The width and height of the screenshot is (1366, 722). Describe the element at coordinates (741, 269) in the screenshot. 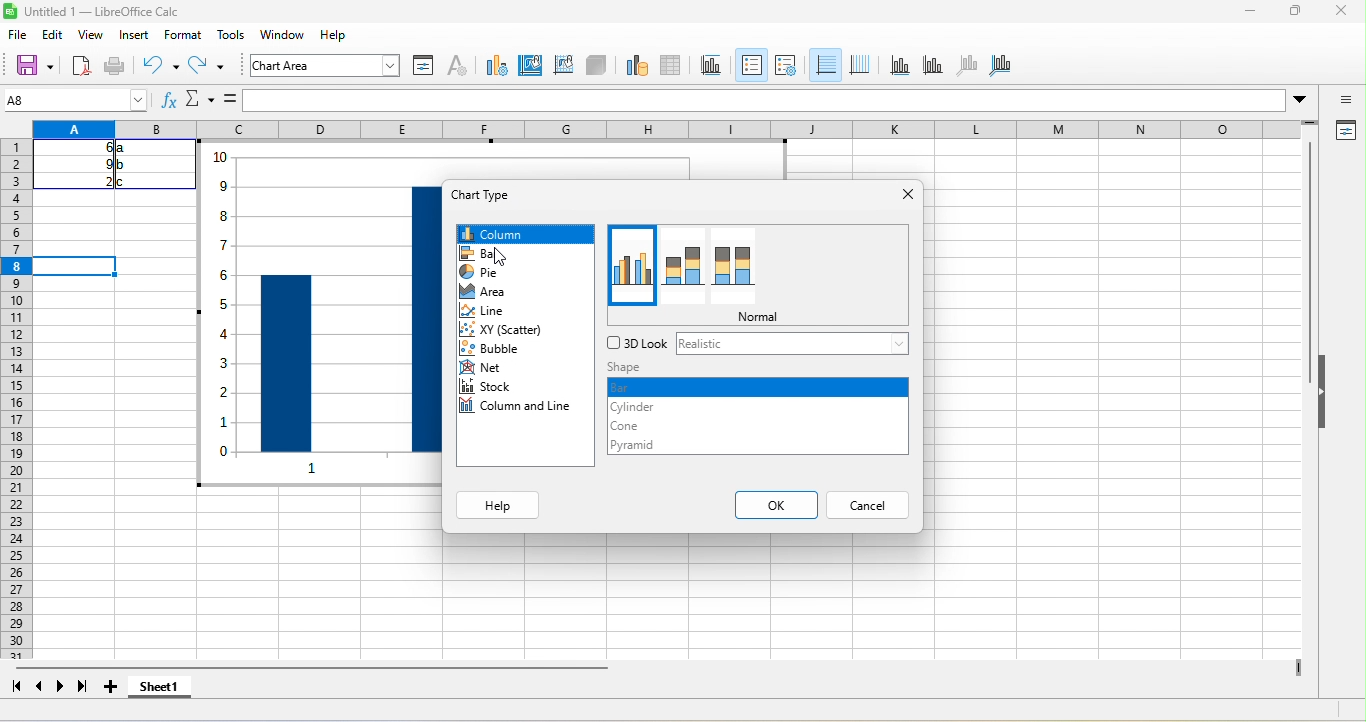

I see `percent stacked` at that location.